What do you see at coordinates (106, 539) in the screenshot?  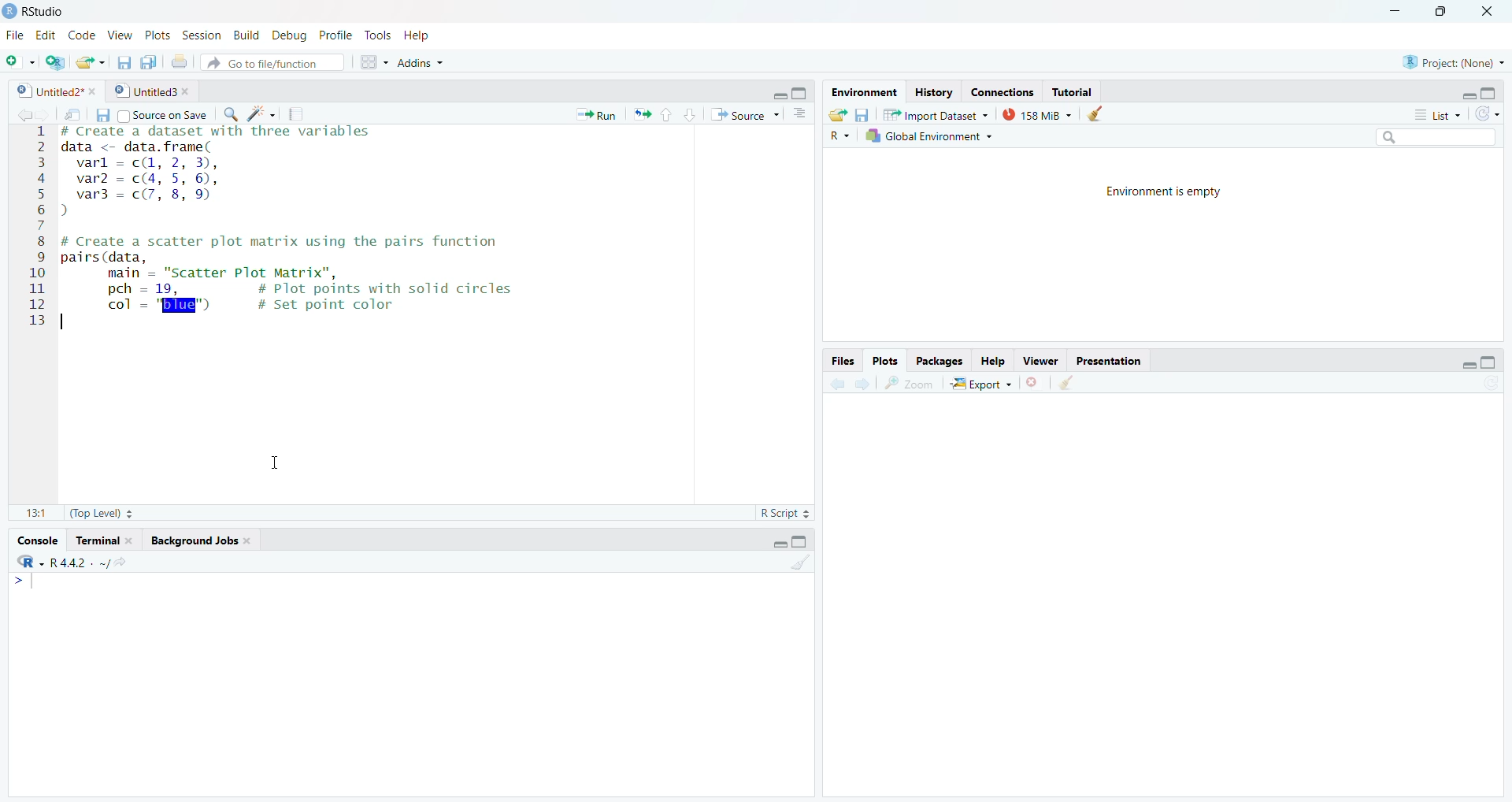 I see `Terminal` at bounding box center [106, 539].